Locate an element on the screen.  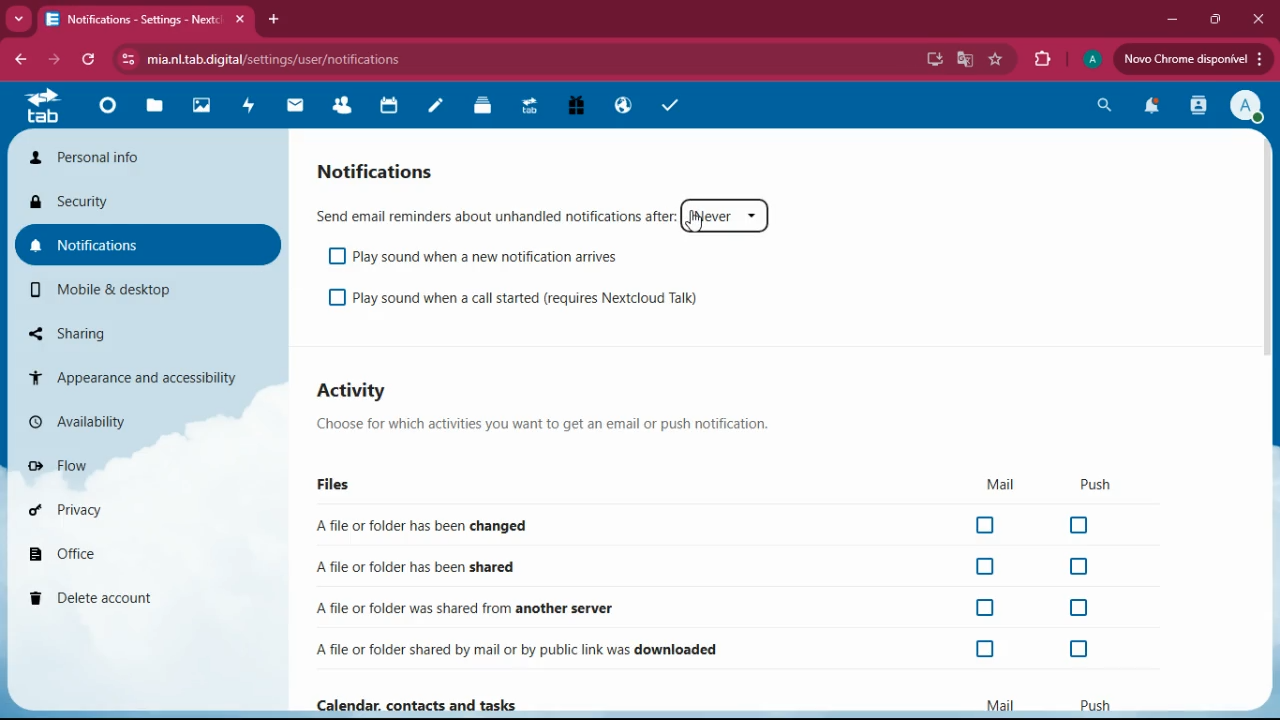
forward is located at coordinates (54, 59).